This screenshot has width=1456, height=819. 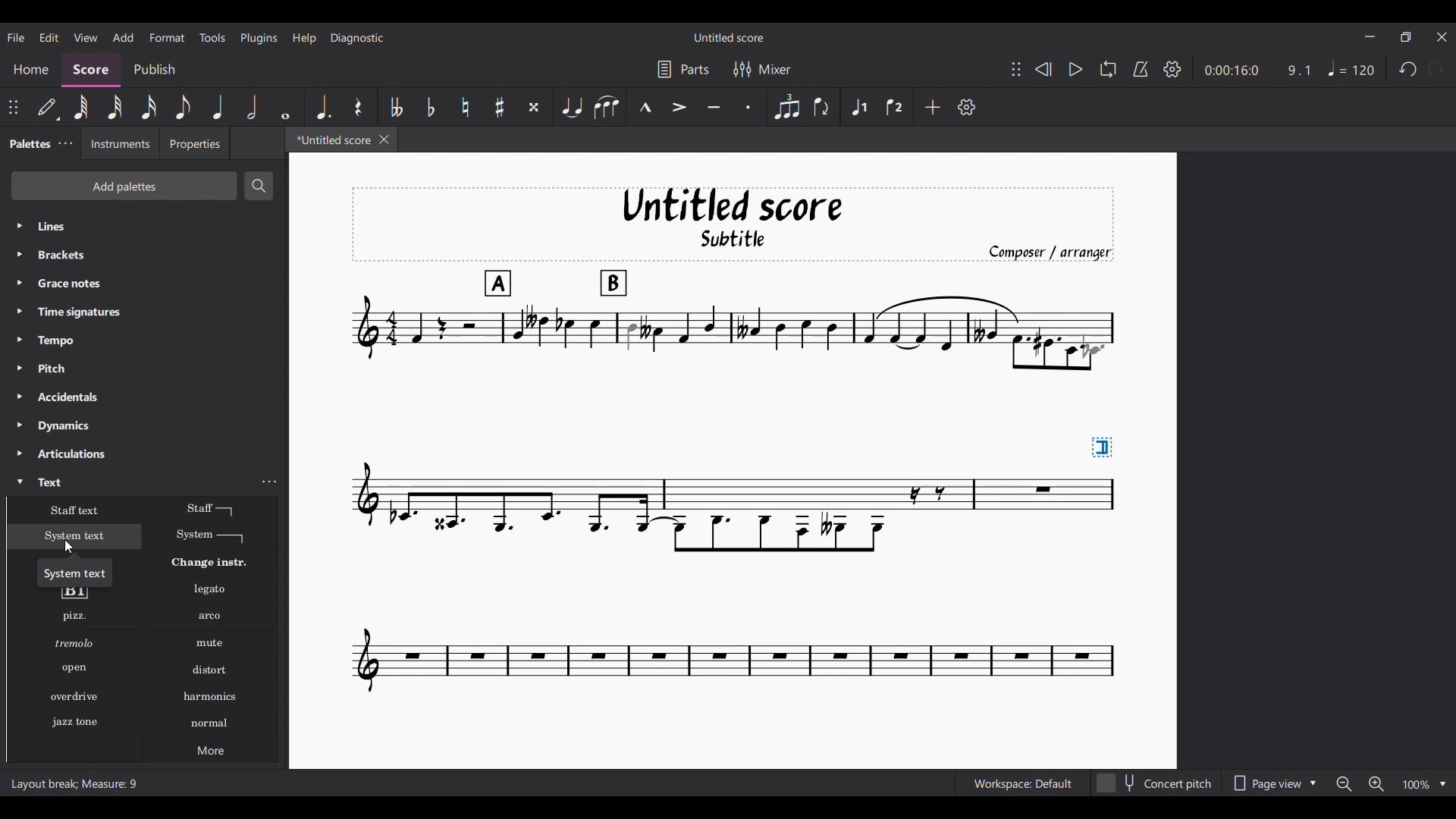 I want to click on Publish section, so click(x=154, y=70).